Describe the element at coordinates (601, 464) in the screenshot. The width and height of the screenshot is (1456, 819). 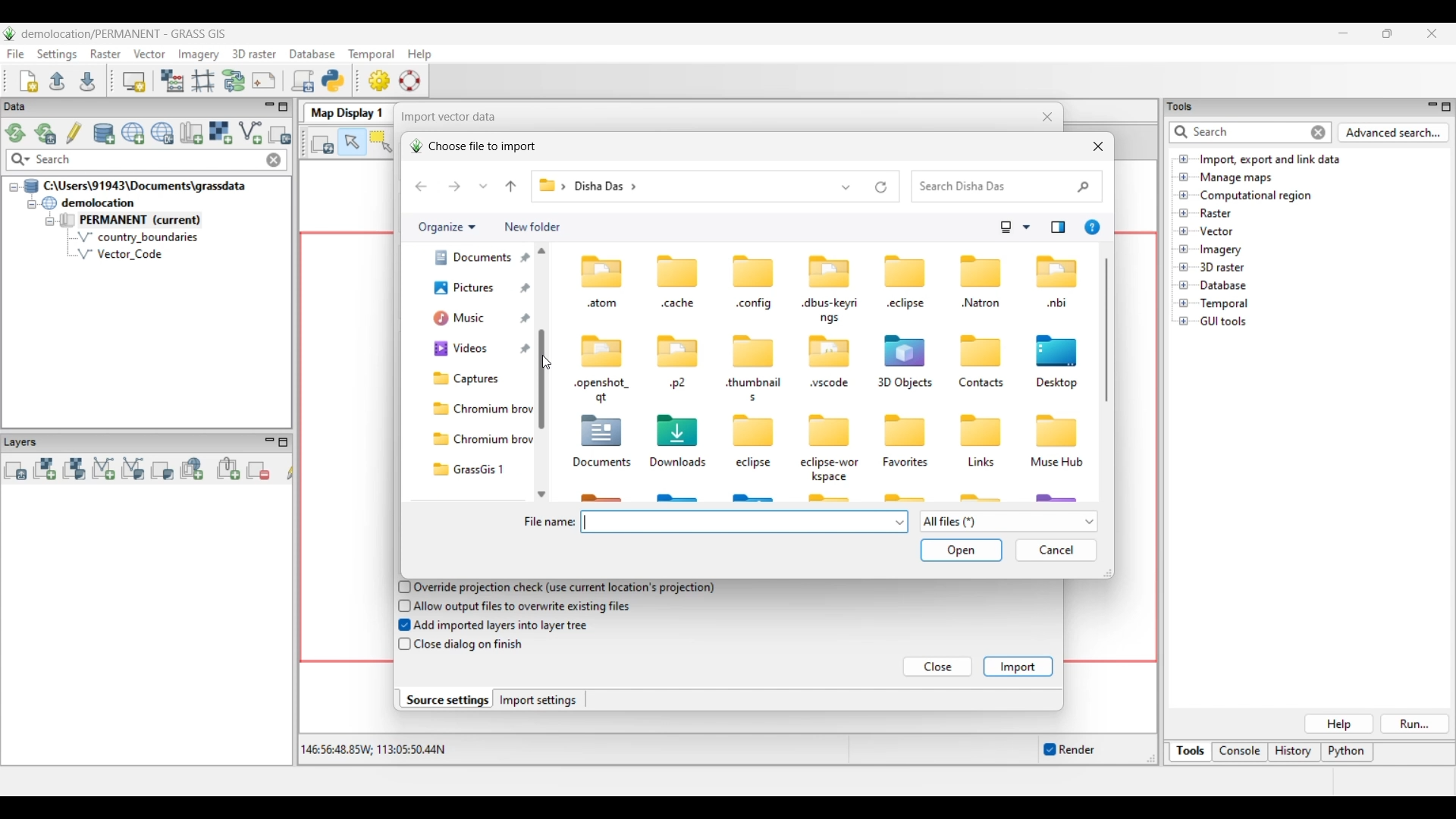
I see `Documents` at that location.